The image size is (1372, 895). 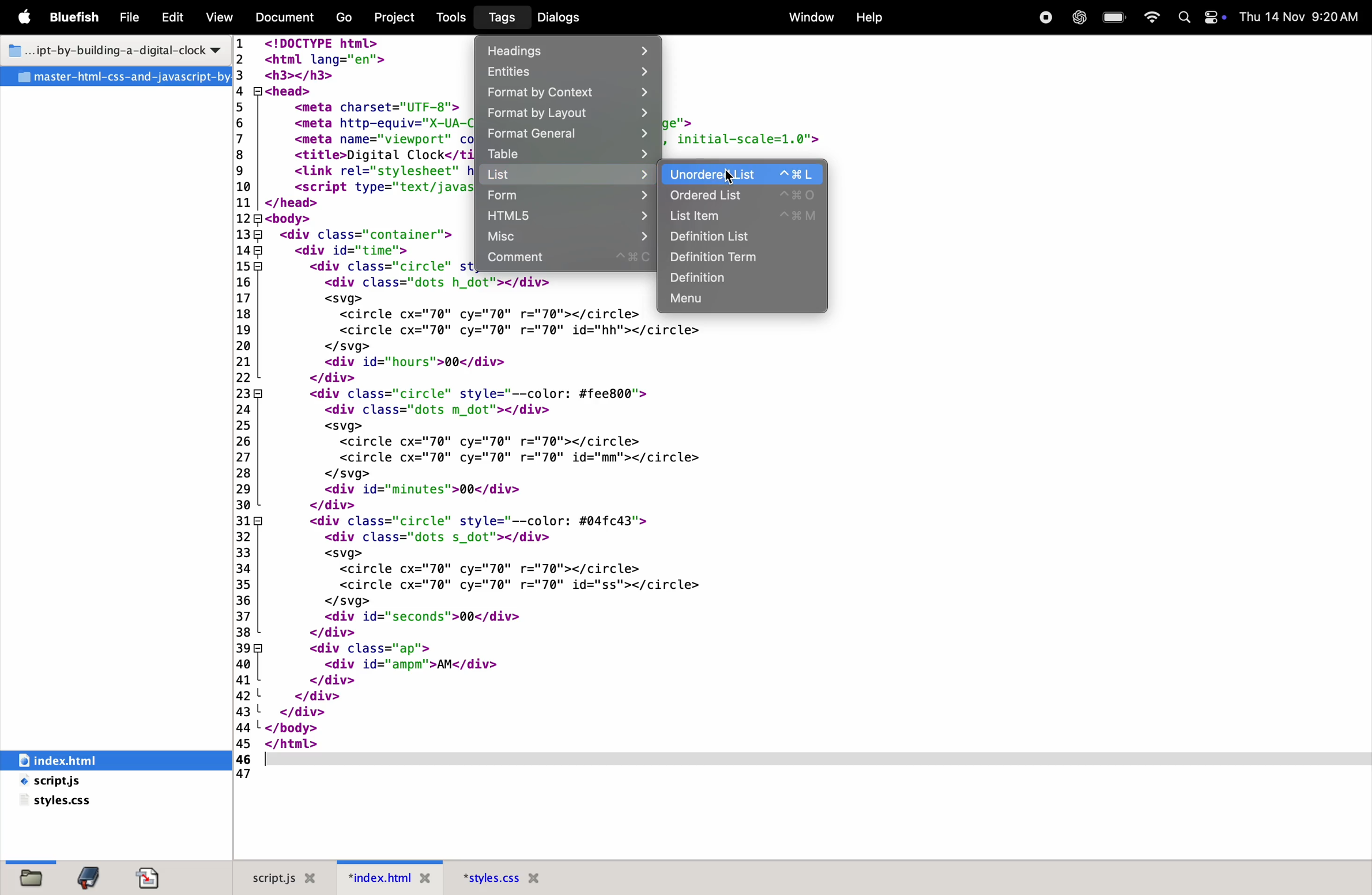 I want to click on master, so click(x=115, y=77).